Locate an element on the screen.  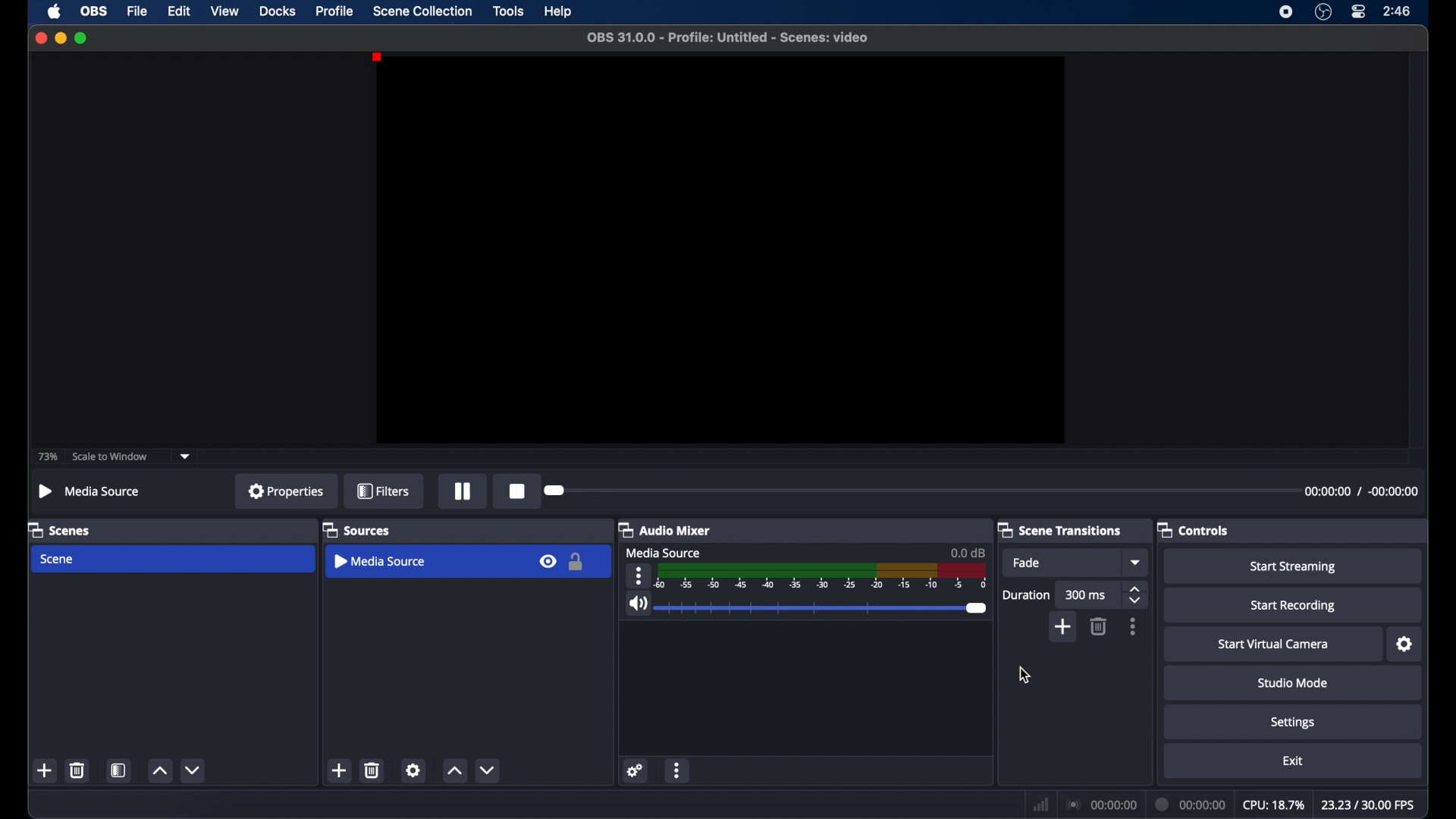
db is located at coordinates (950, 552).